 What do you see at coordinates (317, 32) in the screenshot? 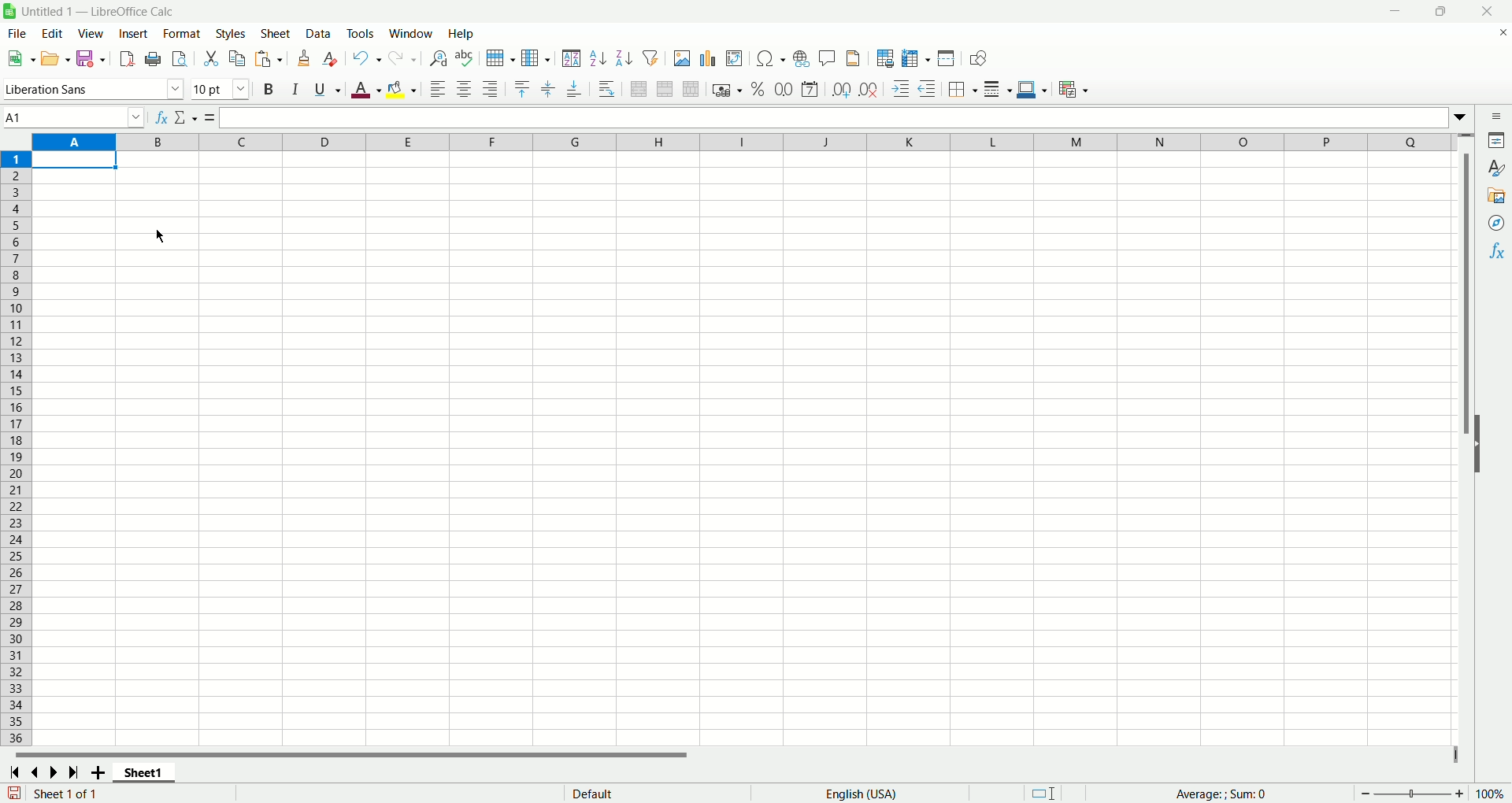
I see `data` at bounding box center [317, 32].